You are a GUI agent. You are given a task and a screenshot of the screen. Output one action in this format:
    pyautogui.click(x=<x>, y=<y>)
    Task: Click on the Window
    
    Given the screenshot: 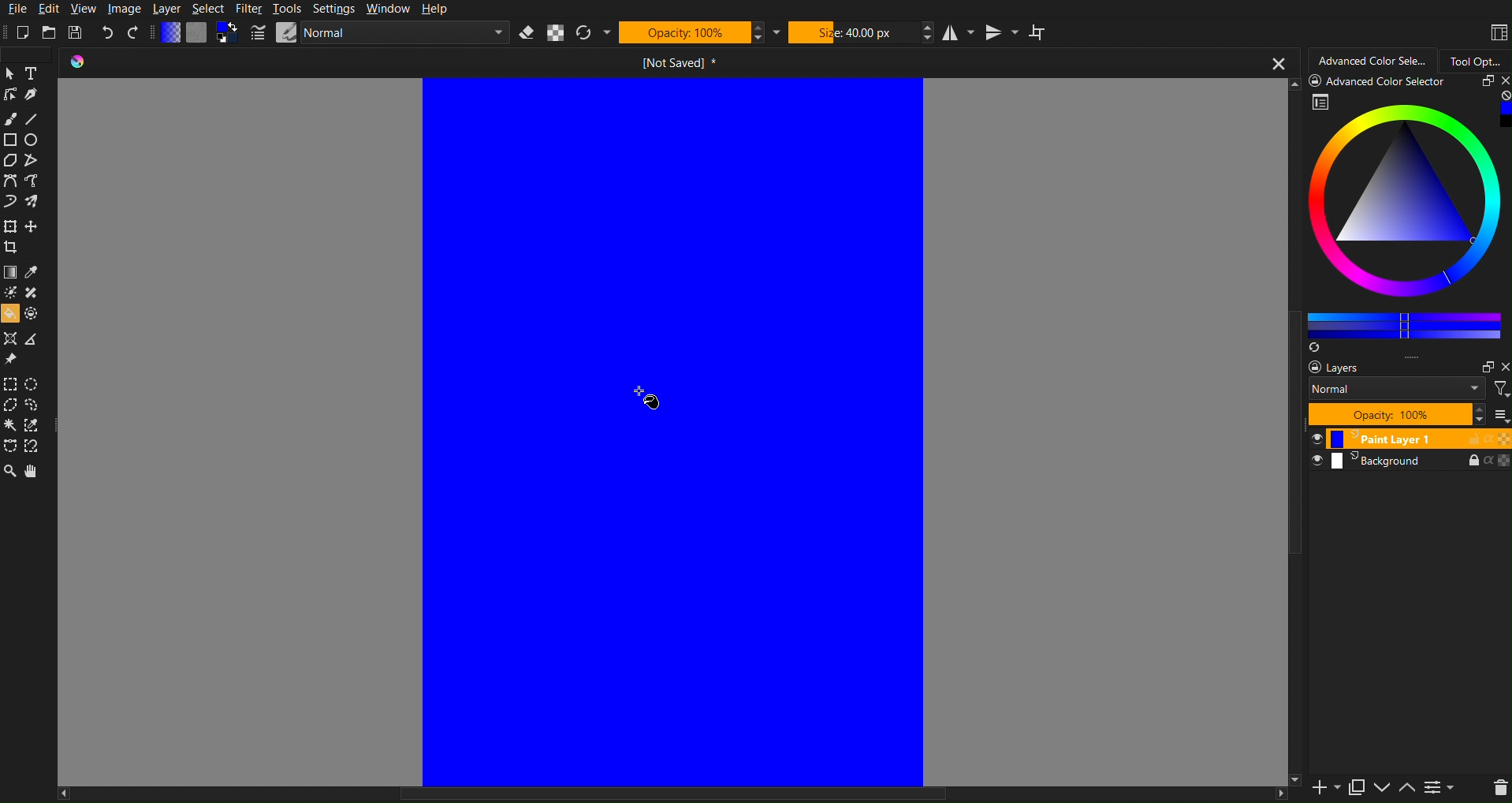 What is the action you would take?
    pyautogui.click(x=387, y=9)
    